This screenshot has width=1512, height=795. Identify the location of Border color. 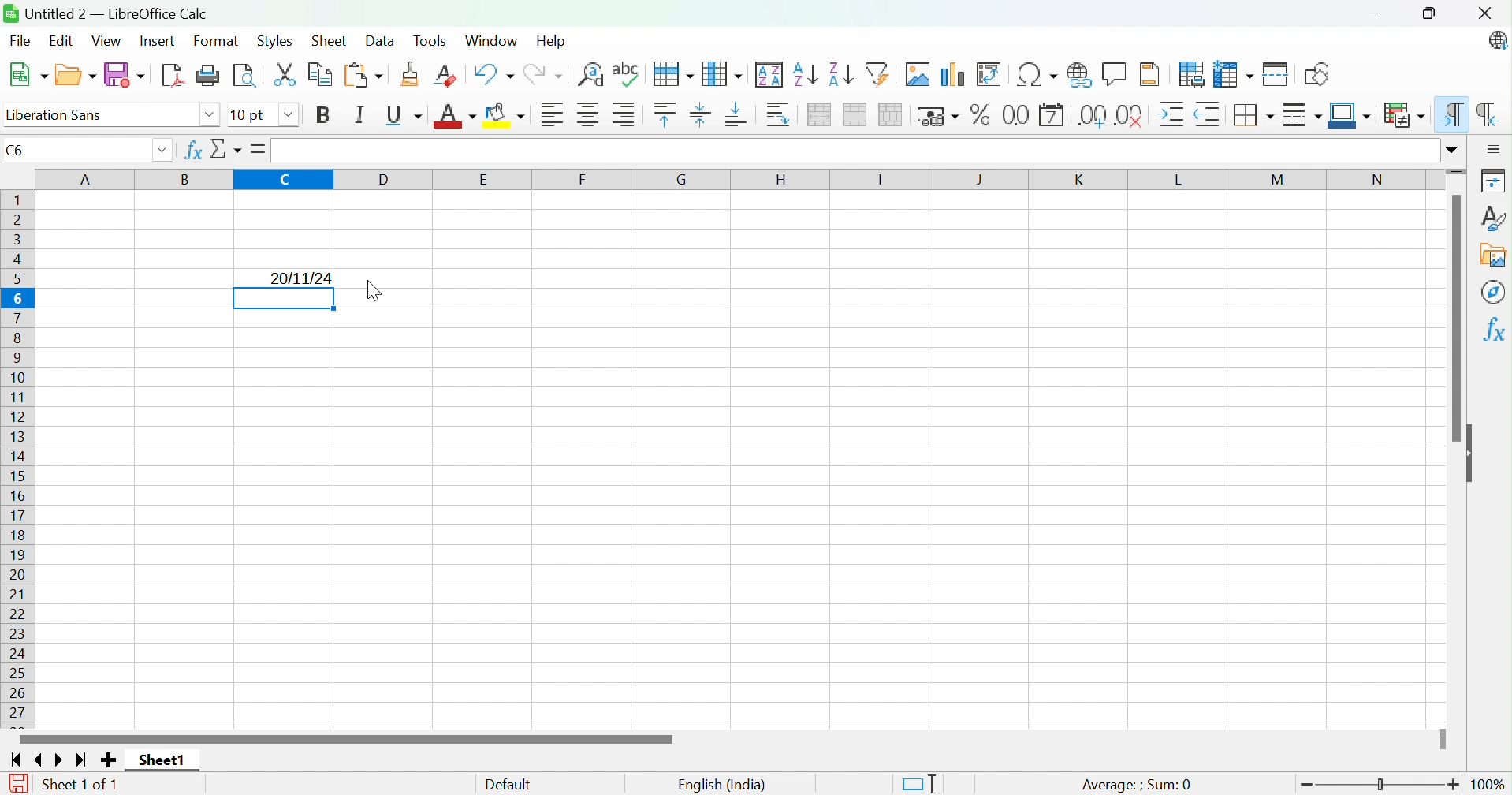
(1351, 116).